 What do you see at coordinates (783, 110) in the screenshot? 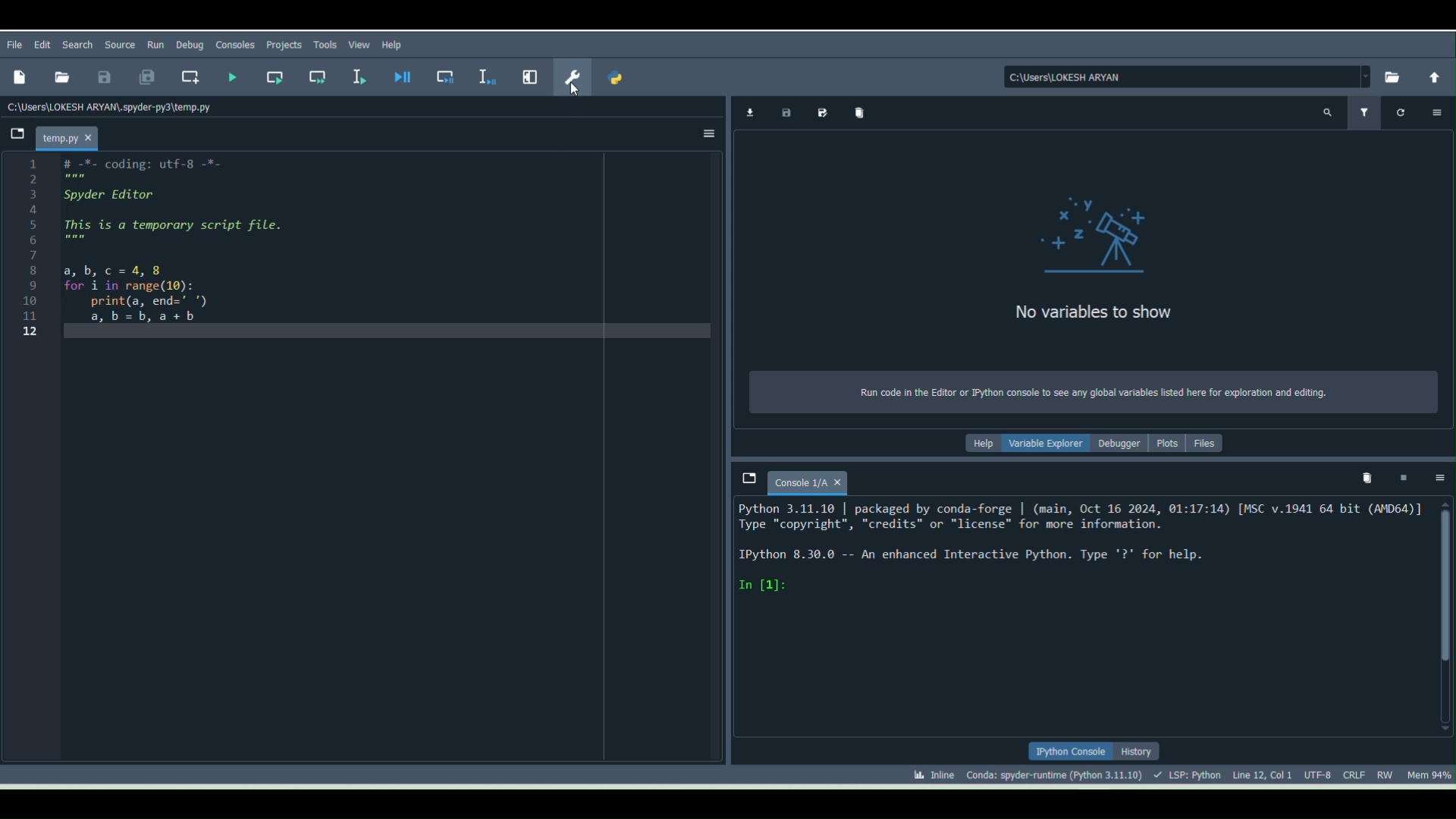
I see `Save data` at bounding box center [783, 110].